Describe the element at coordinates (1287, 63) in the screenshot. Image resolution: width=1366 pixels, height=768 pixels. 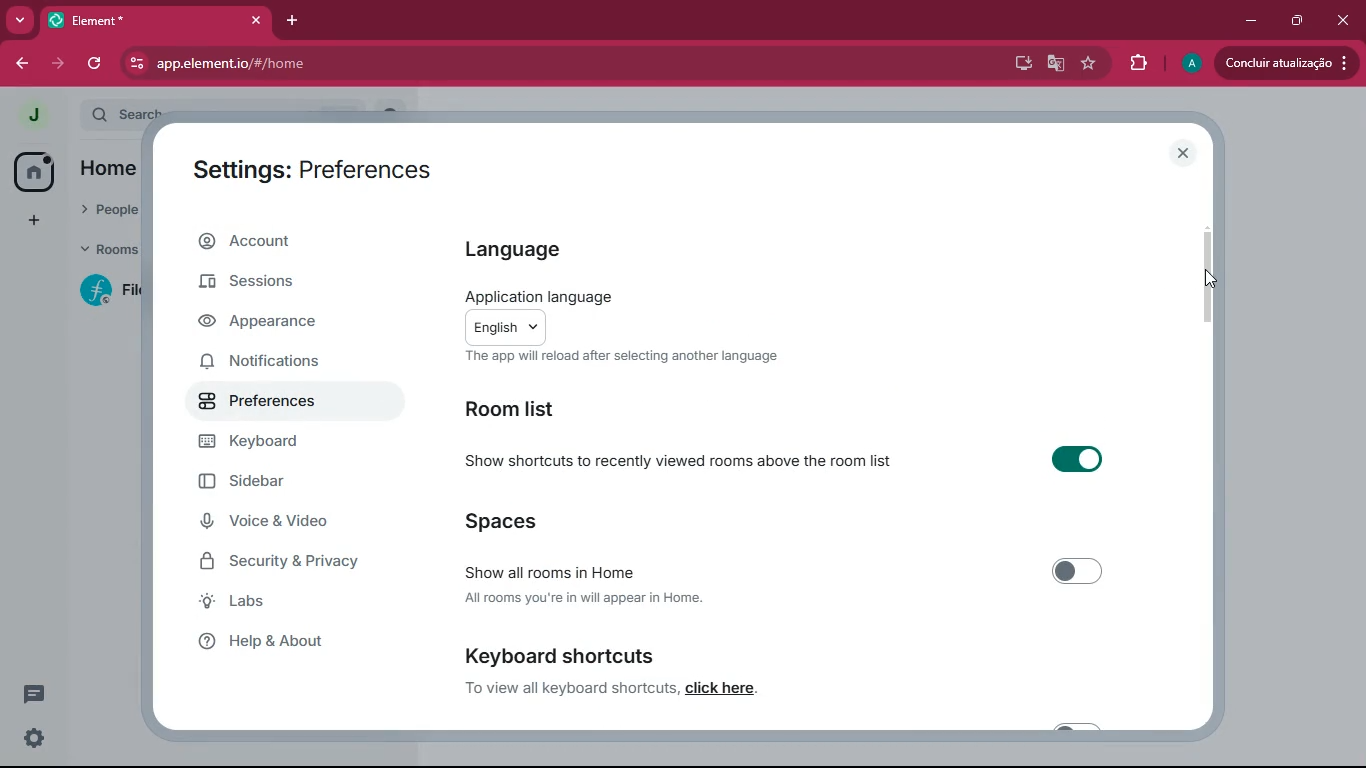
I see `conduir atualizacao` at that location.